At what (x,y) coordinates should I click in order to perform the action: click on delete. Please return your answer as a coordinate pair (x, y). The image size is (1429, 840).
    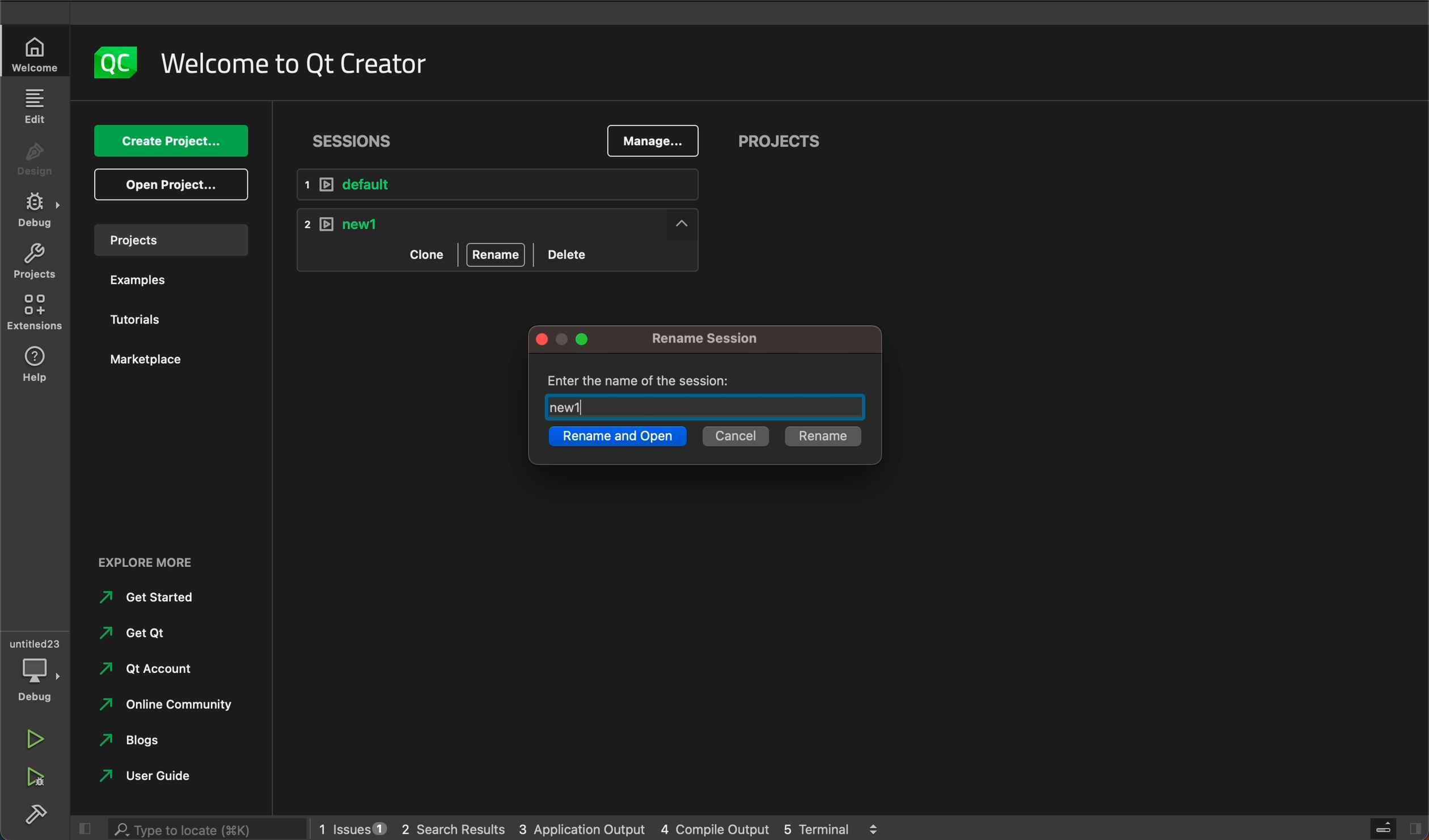
    Looking at the image, I should click on (570, 252).